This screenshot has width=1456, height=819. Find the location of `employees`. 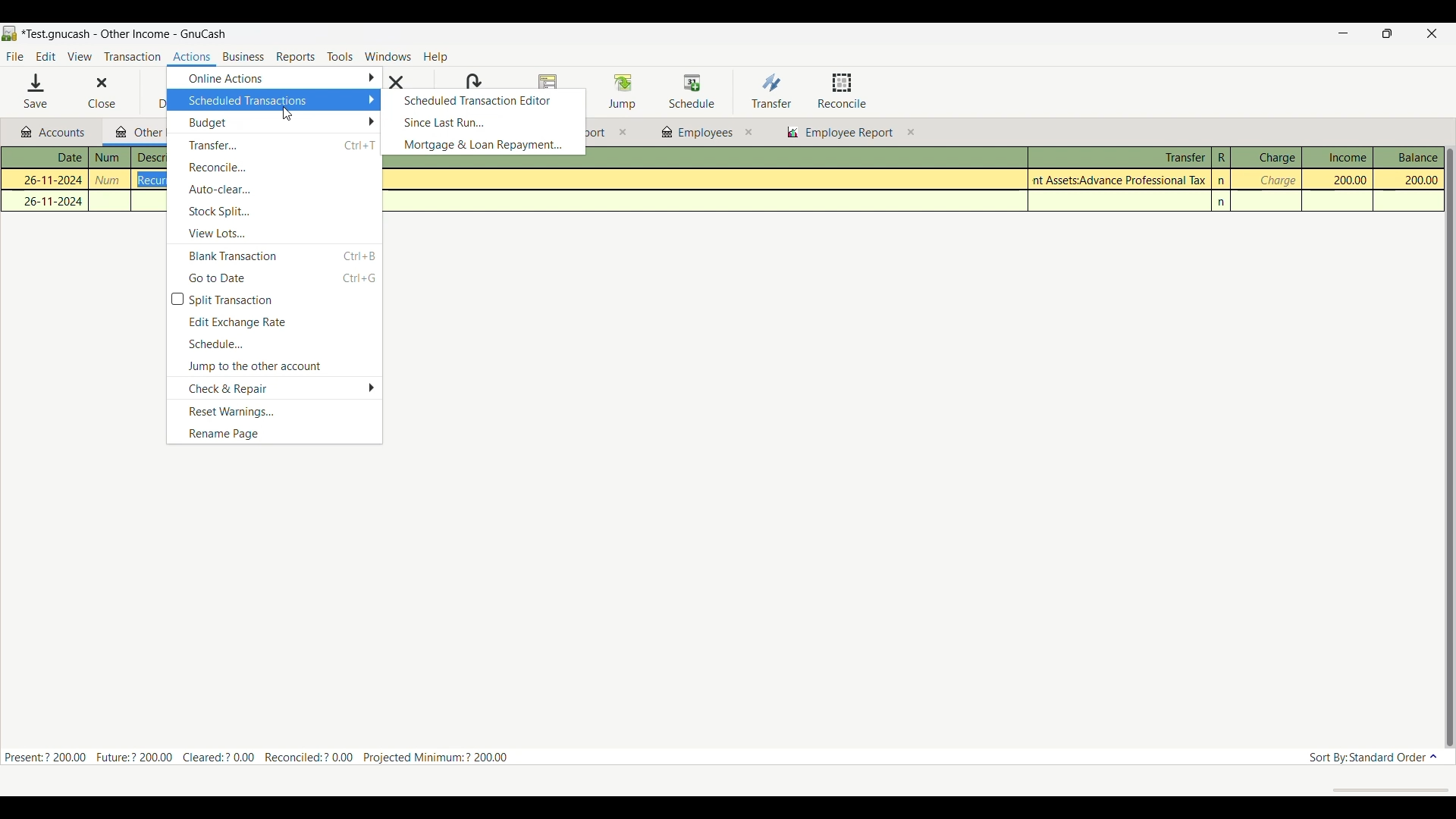

employees is located at coordinates (695, 133).